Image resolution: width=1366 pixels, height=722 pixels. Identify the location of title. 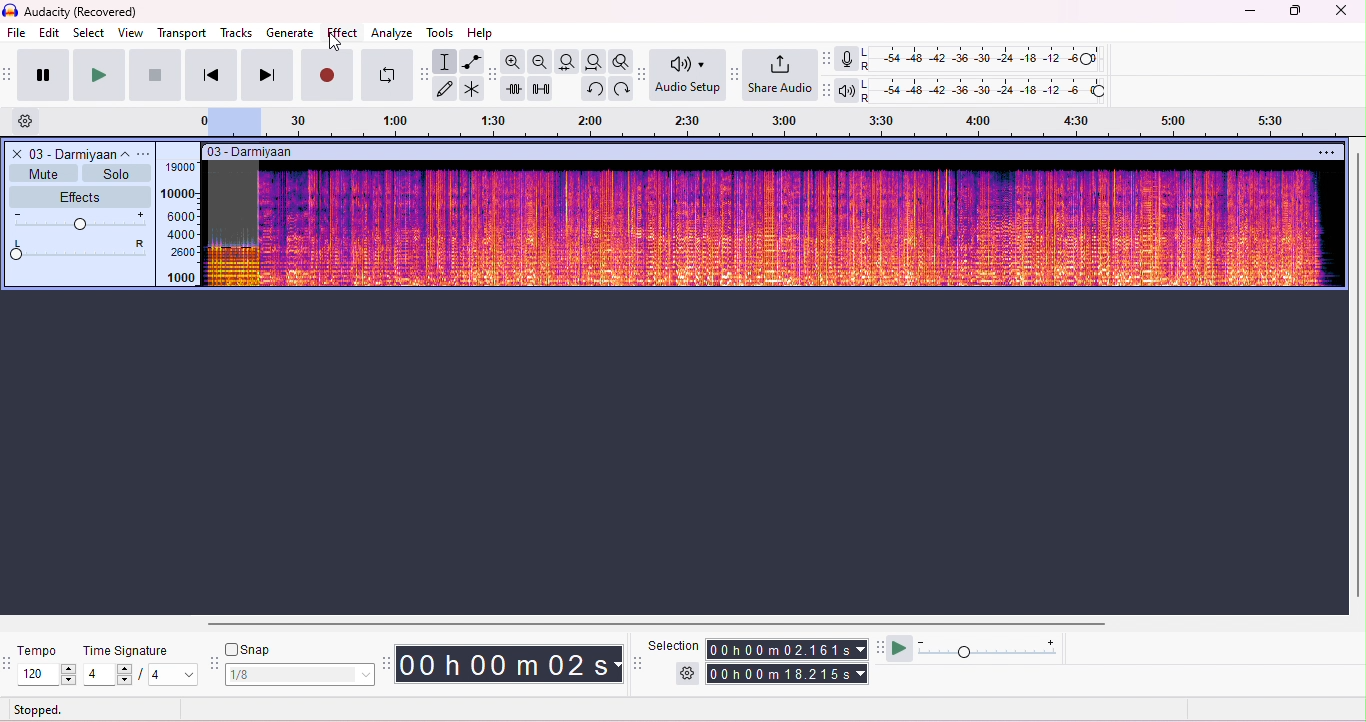
(73, 12).